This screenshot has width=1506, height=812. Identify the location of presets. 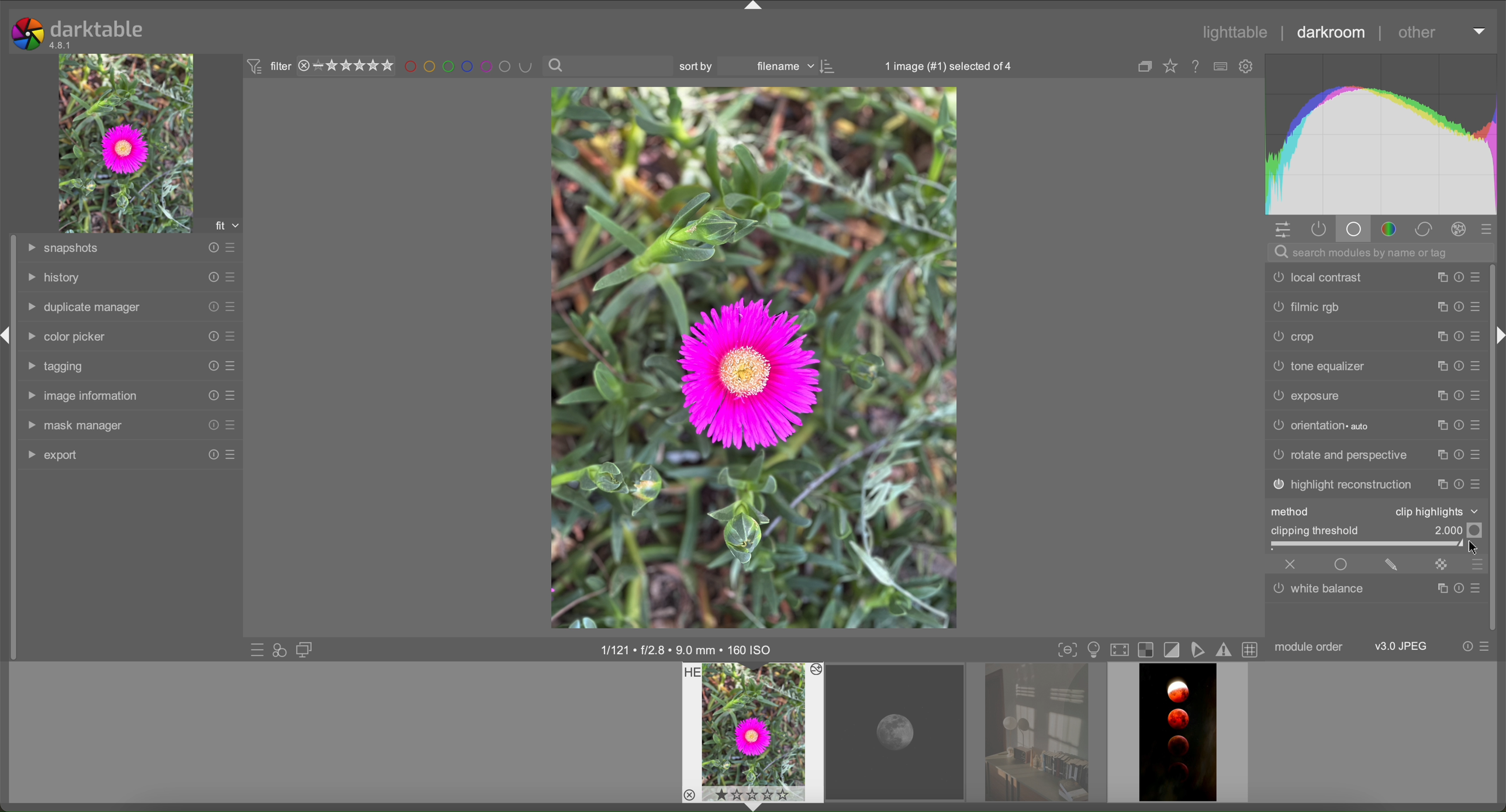
(230, 365).